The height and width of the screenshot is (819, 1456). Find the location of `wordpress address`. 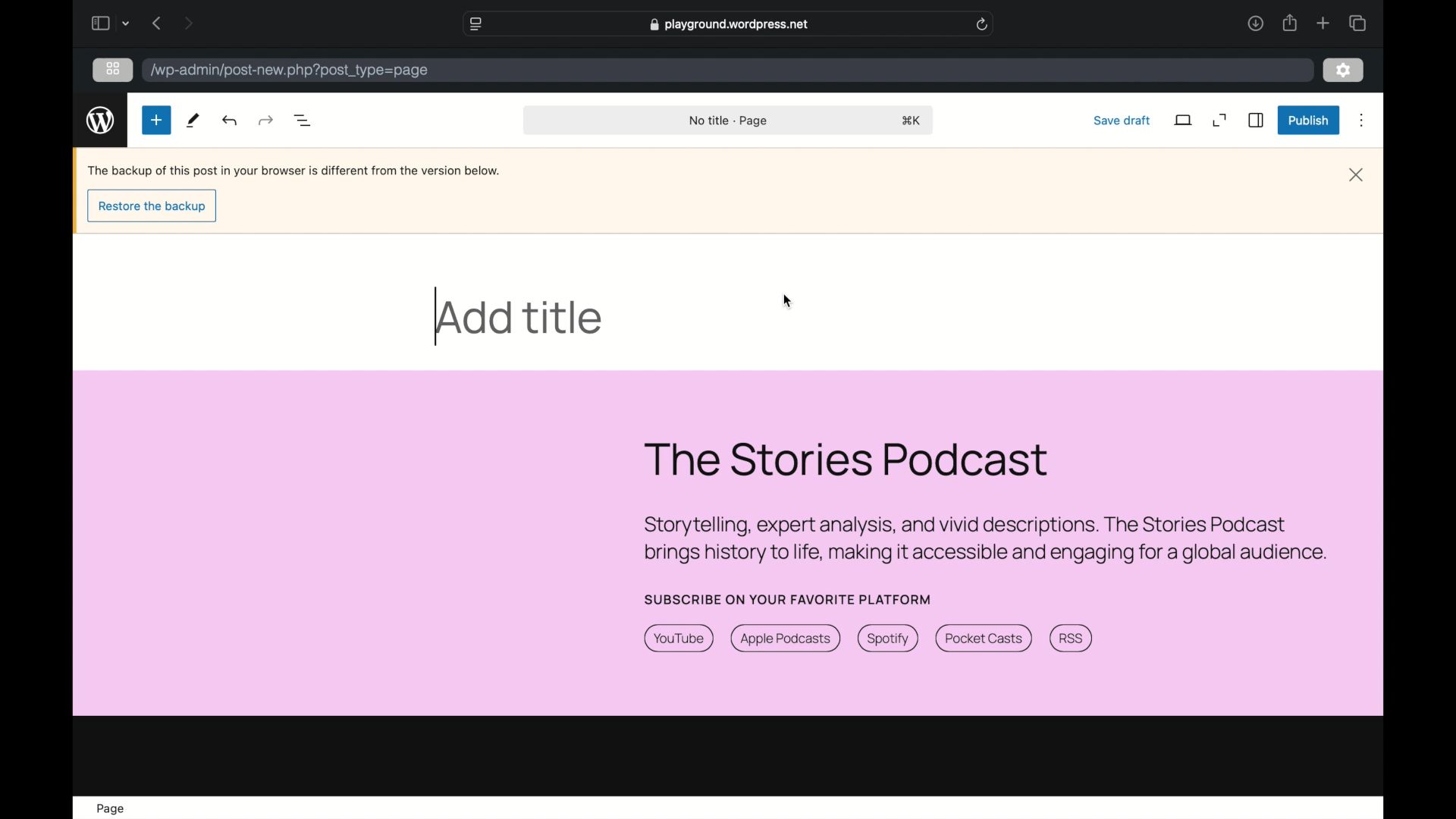

wordpress address is located at coordinates (290, 71).